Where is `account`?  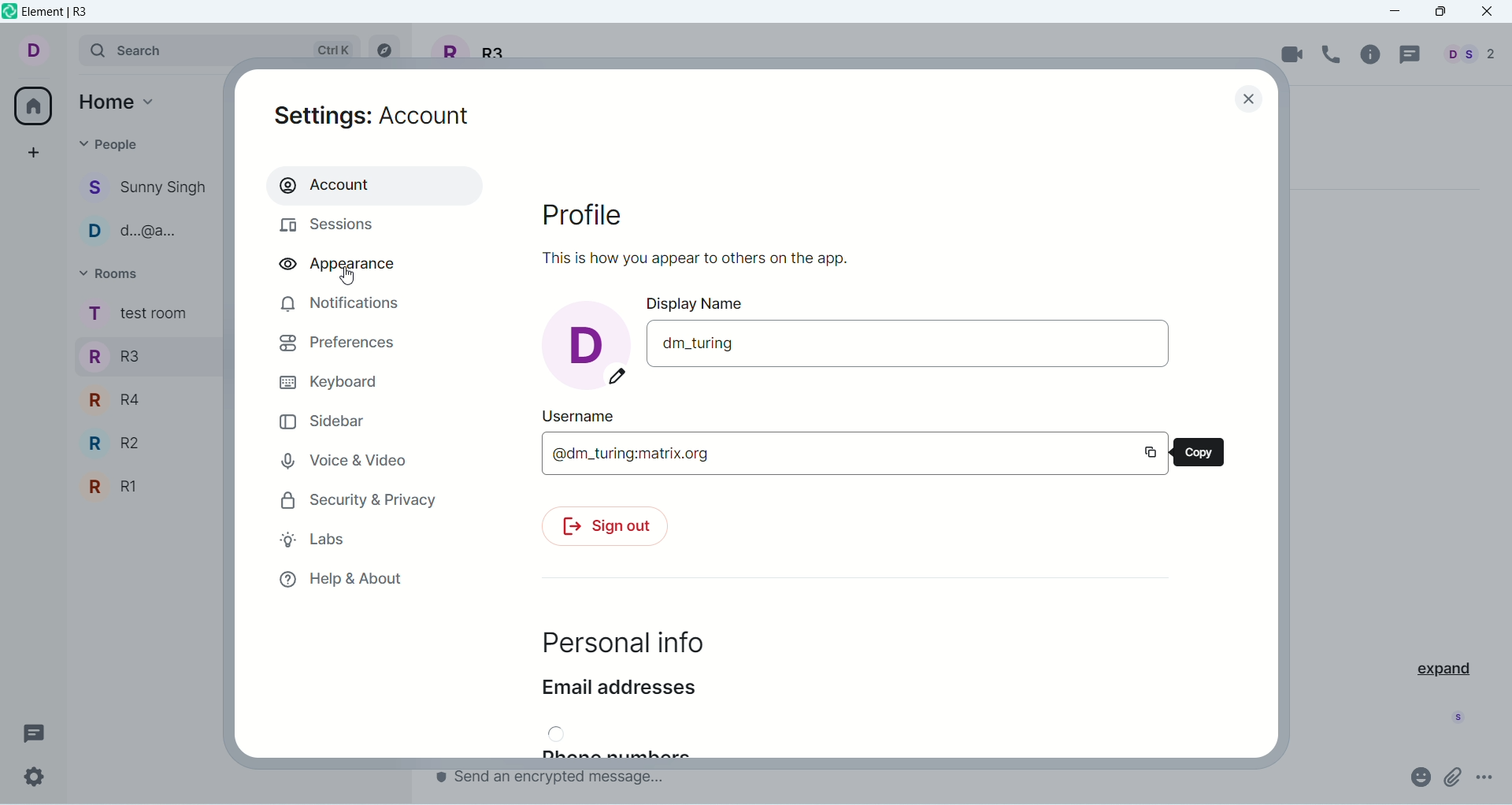
account is located at coordinates (374, 183).